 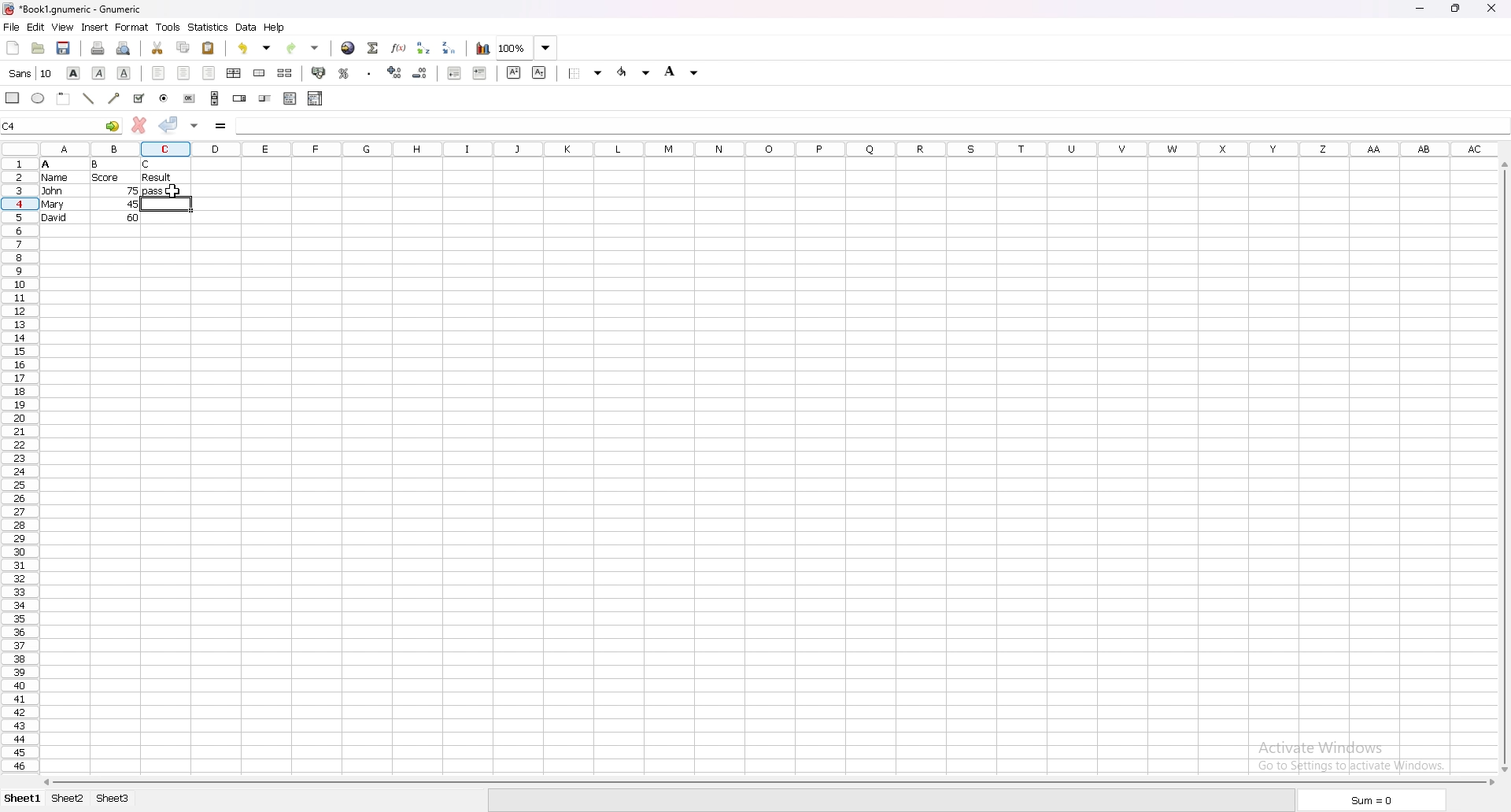 What do you see at coordinates (170, 124) in the screenshot?
I see `accept change` at bounding box center [170, 124].